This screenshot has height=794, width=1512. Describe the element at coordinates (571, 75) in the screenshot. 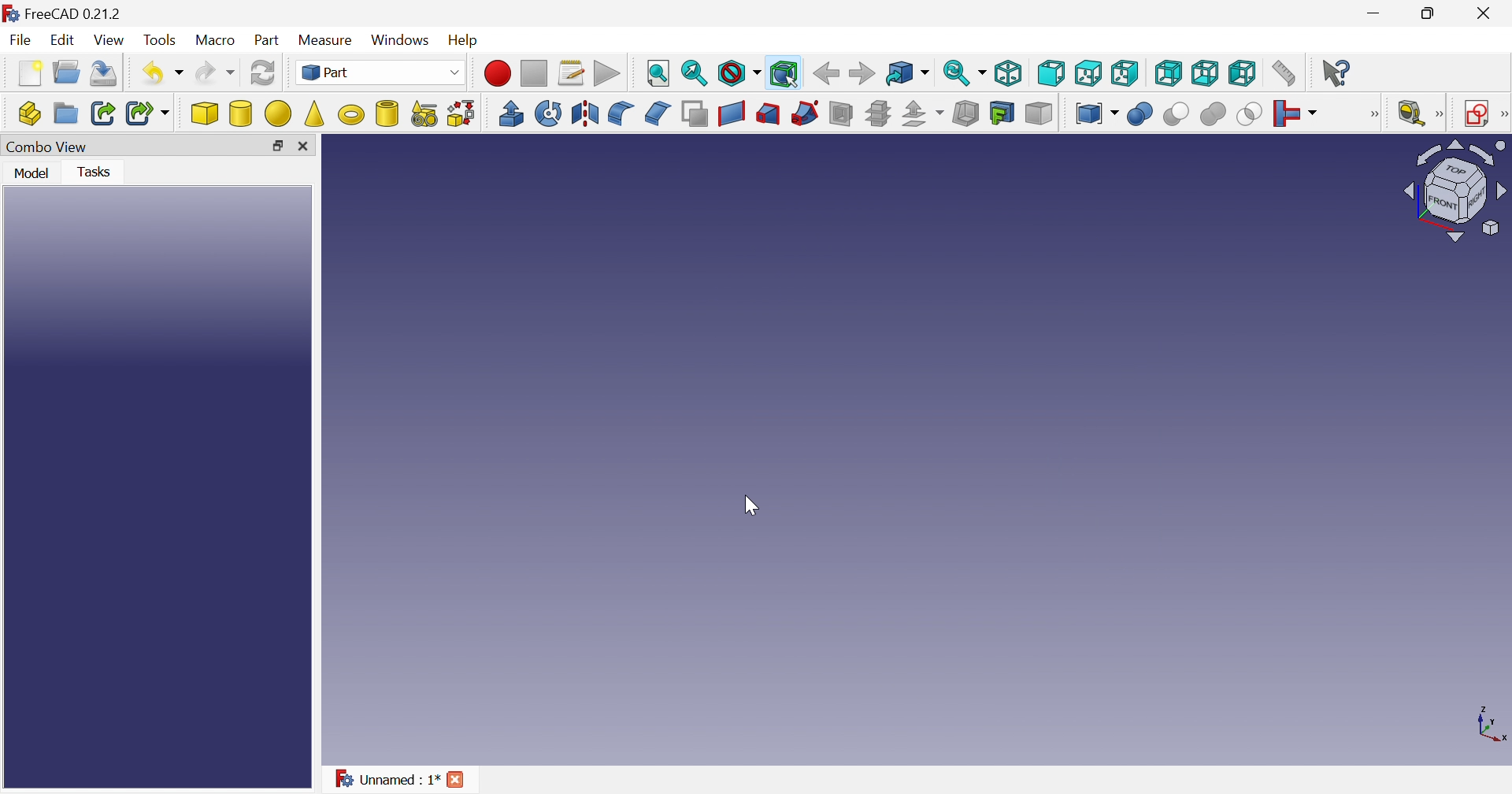

I see `Macros...` at that location.